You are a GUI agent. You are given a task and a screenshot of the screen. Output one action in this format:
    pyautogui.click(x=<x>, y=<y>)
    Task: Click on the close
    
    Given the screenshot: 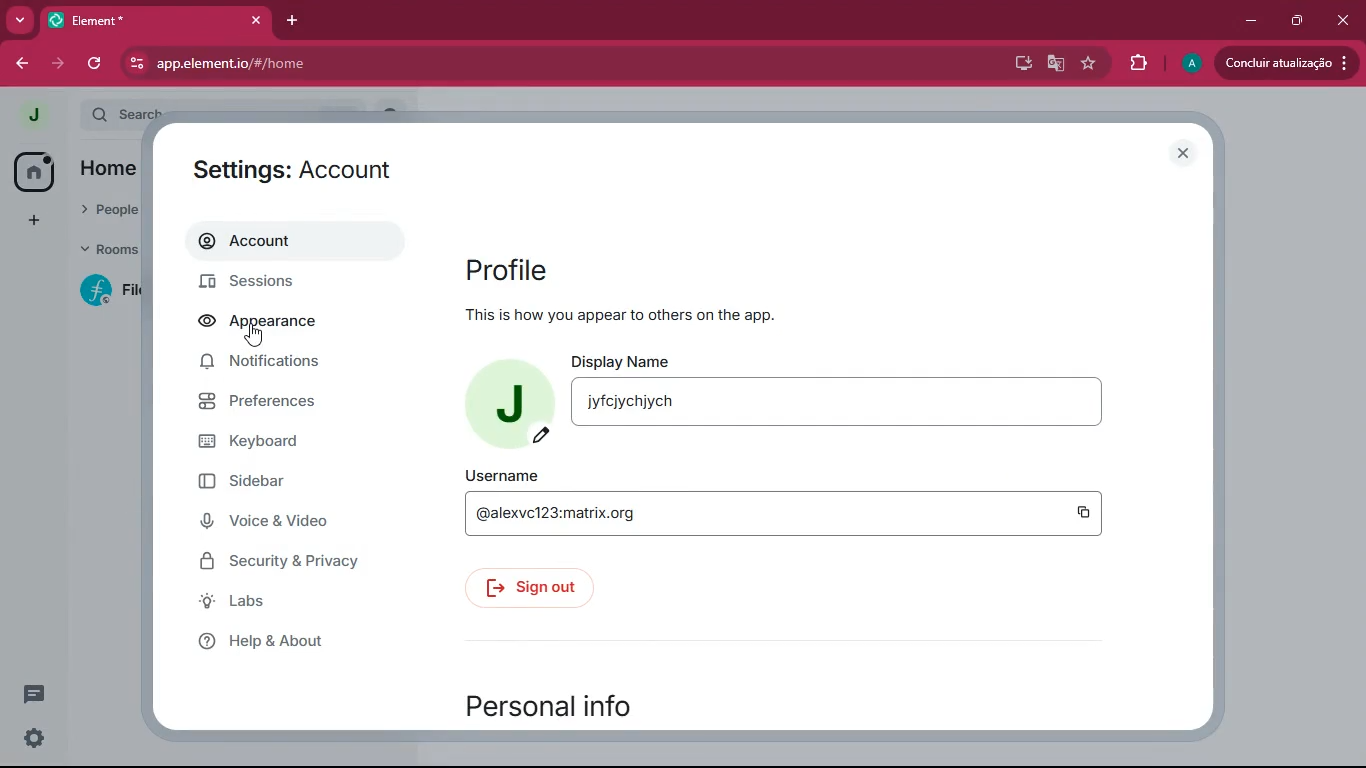 What is the action you would take?
    pyautogui.click(x=1186, y=154)
    